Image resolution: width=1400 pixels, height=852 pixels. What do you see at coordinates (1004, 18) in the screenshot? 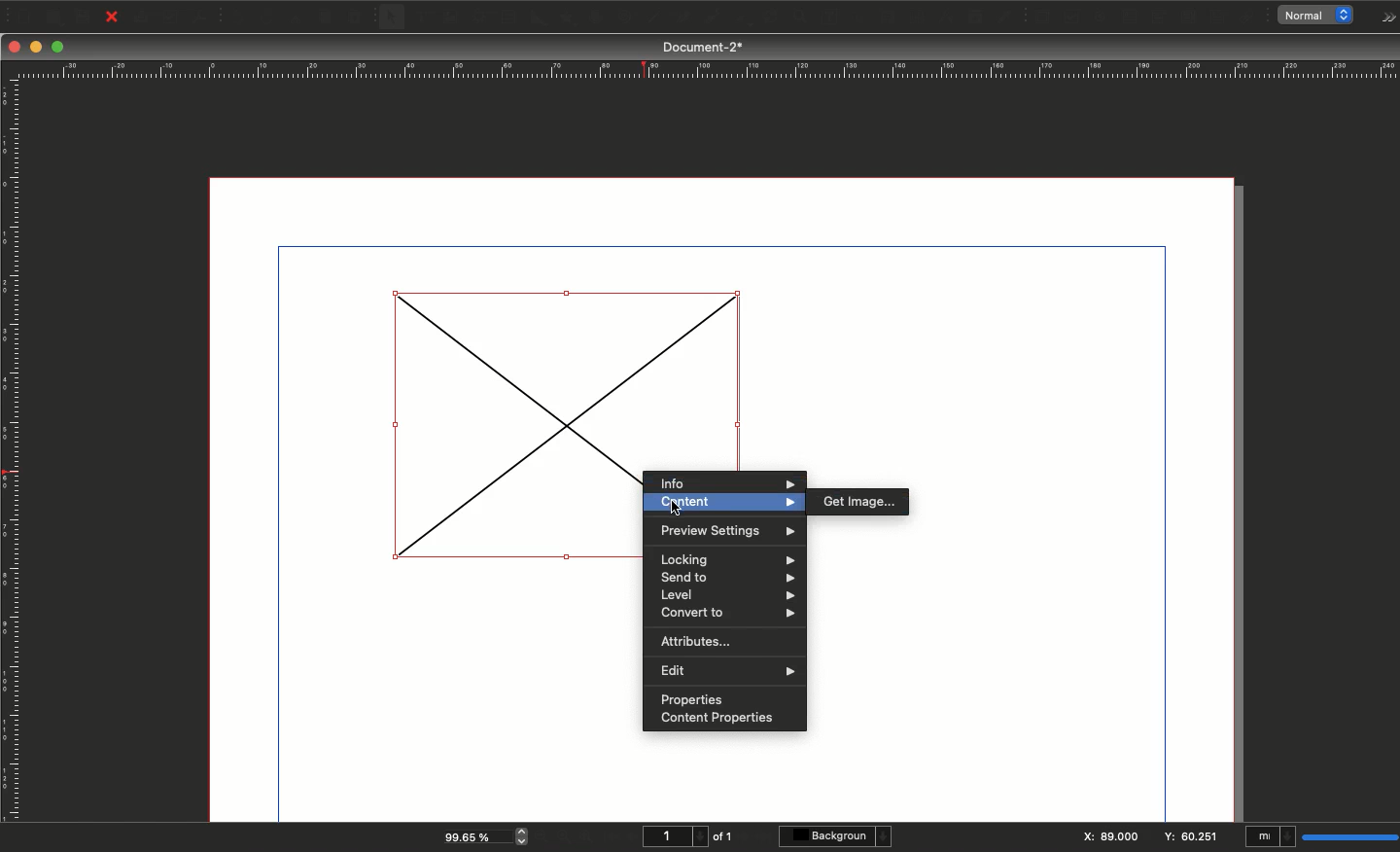
I see `Eye dropper` at bounding box center [1004, 18].